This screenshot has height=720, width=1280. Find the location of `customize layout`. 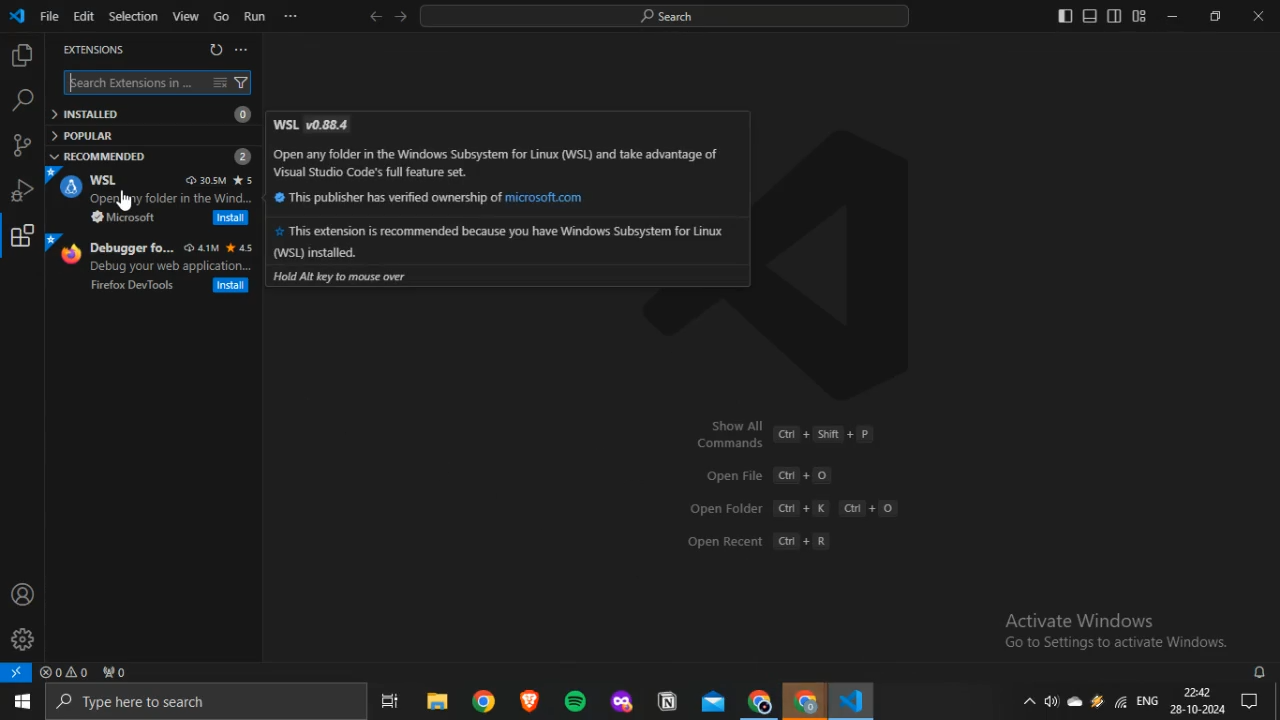

customize layout is located at coordinates (1139, 16).